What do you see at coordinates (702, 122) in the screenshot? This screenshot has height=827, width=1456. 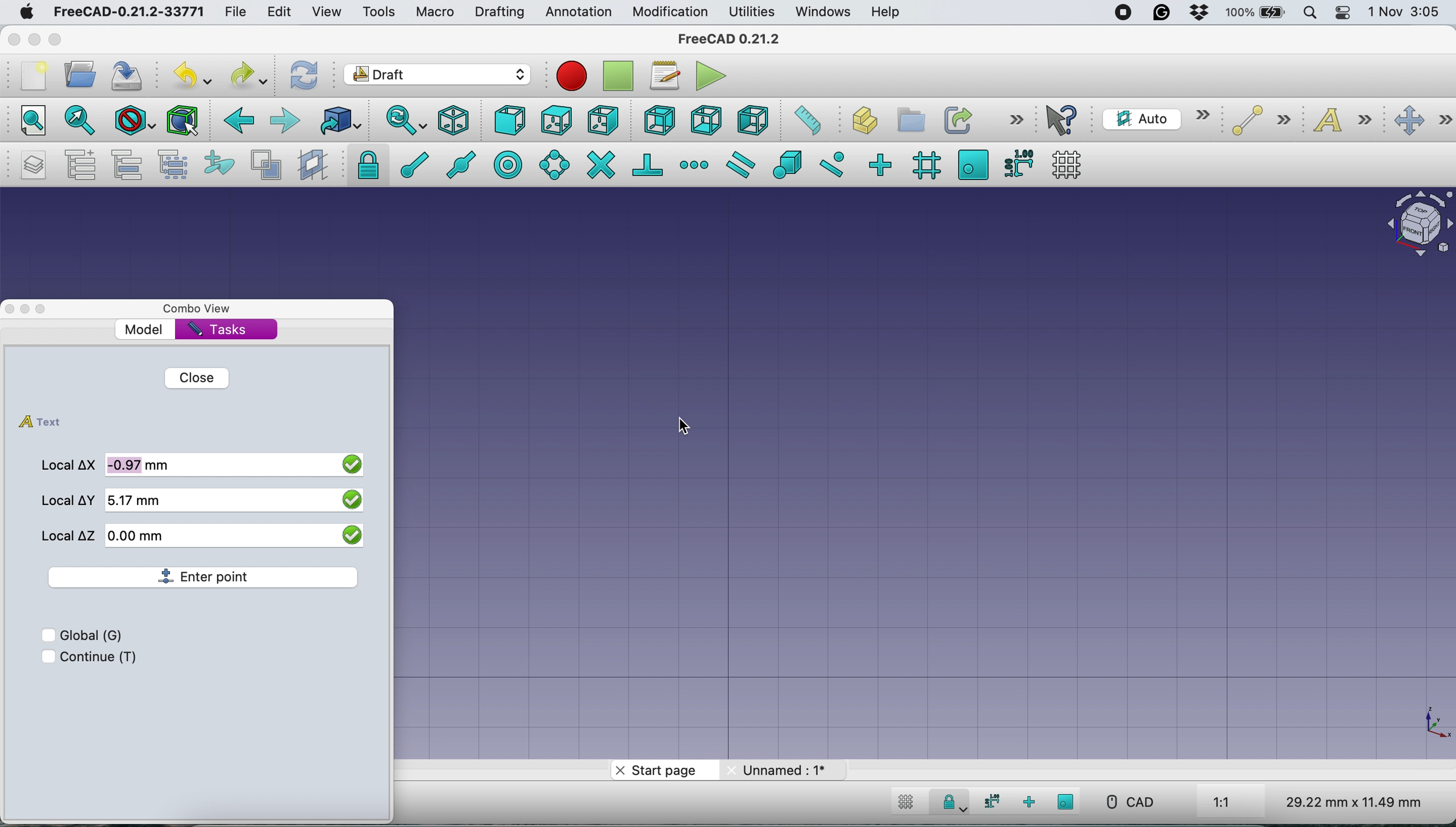 I see `bottom` at bounding box center [702, 122].